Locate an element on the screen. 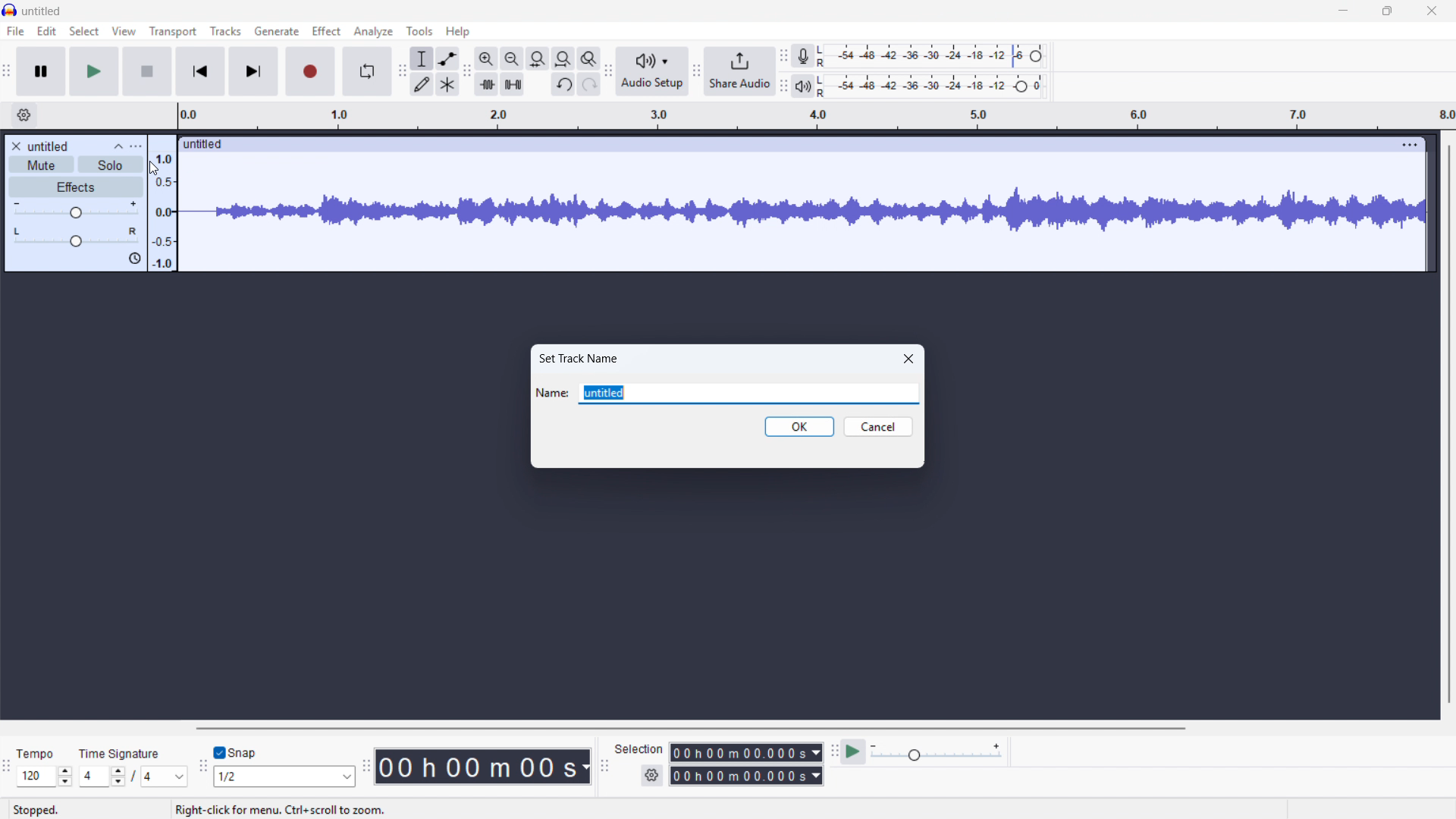 The height and width of the screenshot is (819, 1456). Selection toolbar  is located at coordinates (603, 766).